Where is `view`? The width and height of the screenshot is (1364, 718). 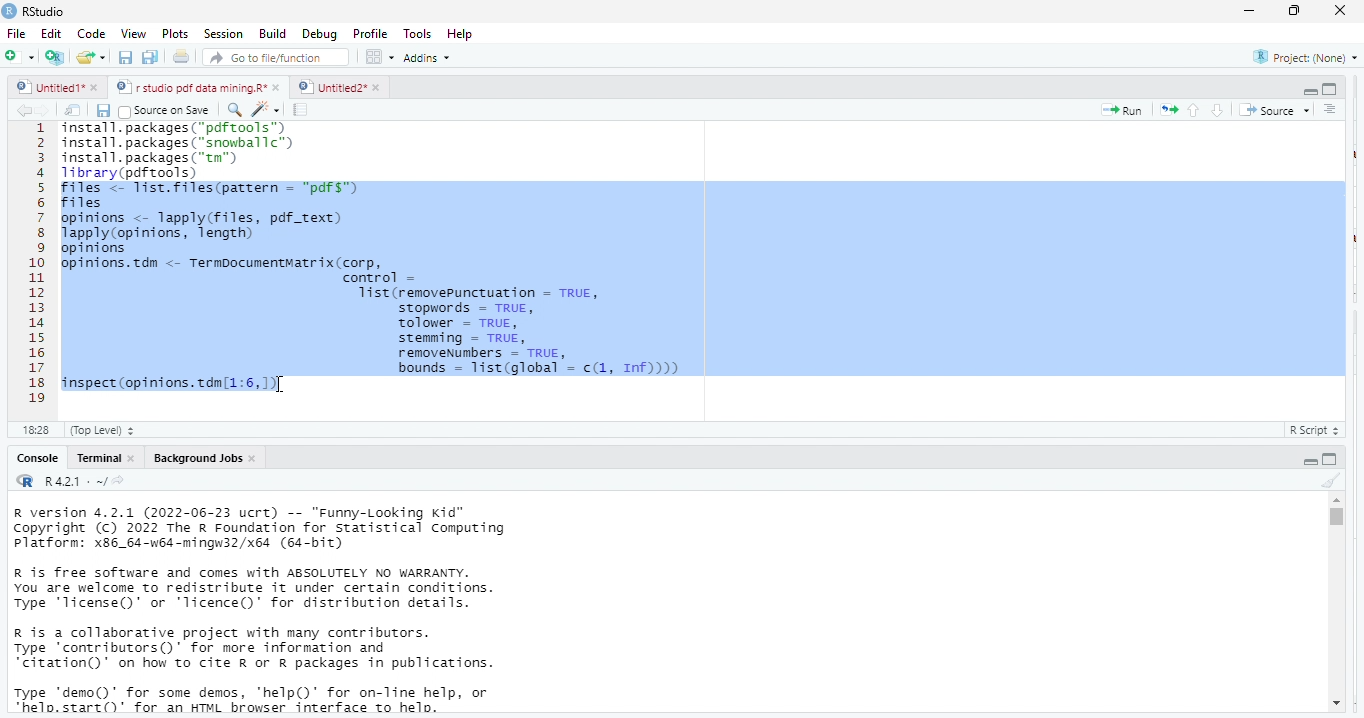 view is located at coordinates (128, 34).